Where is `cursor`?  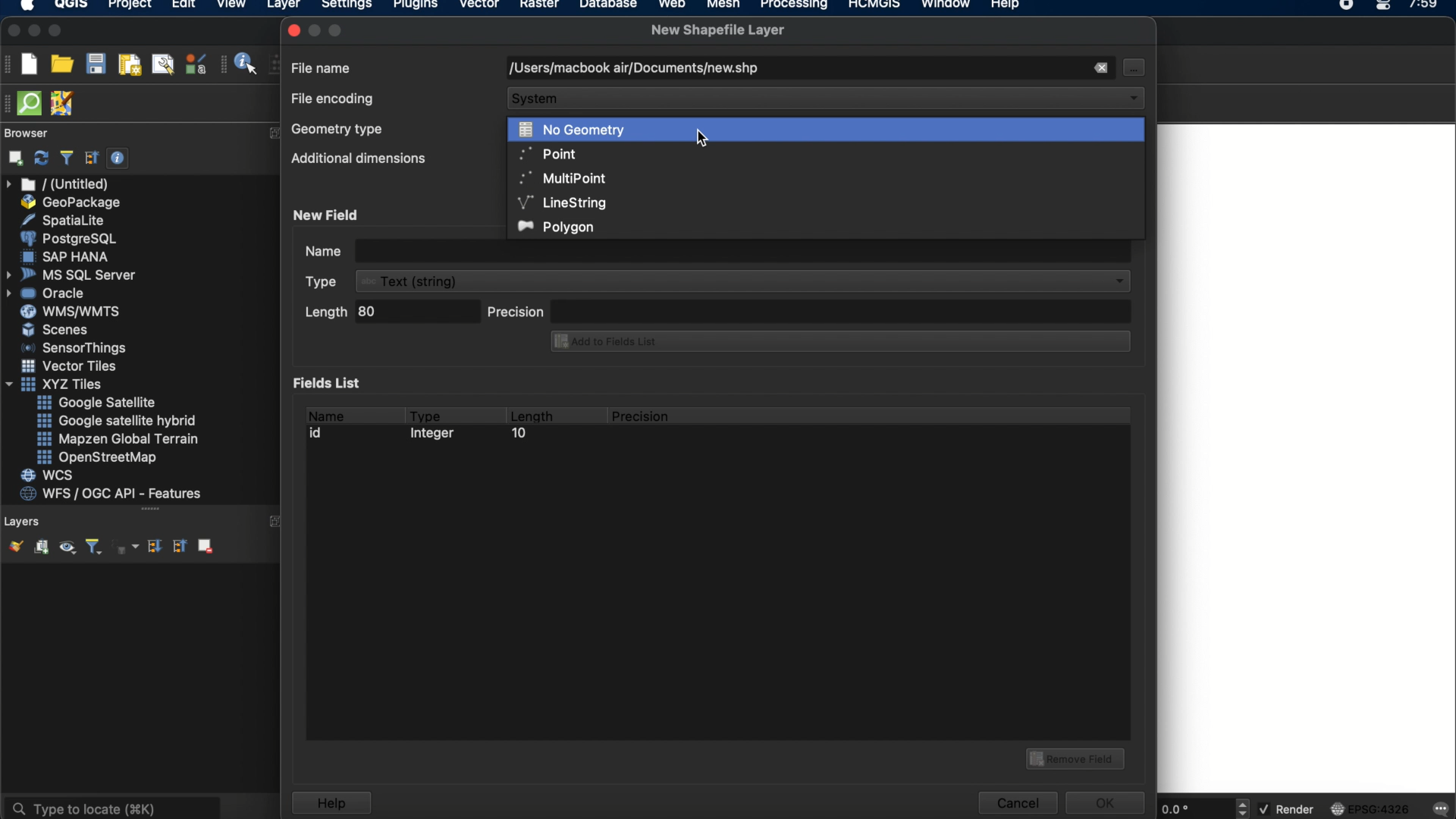
cursor is located at coordinates (704, 138).